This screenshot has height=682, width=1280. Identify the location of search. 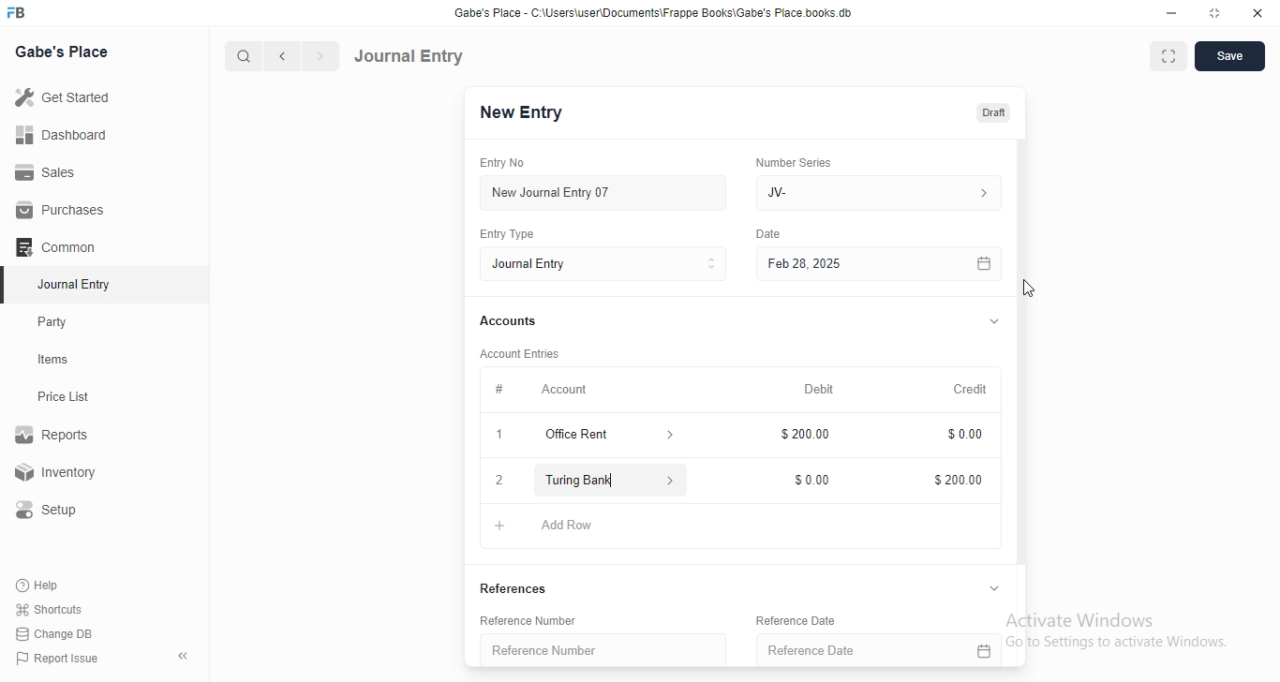
(241, 56).